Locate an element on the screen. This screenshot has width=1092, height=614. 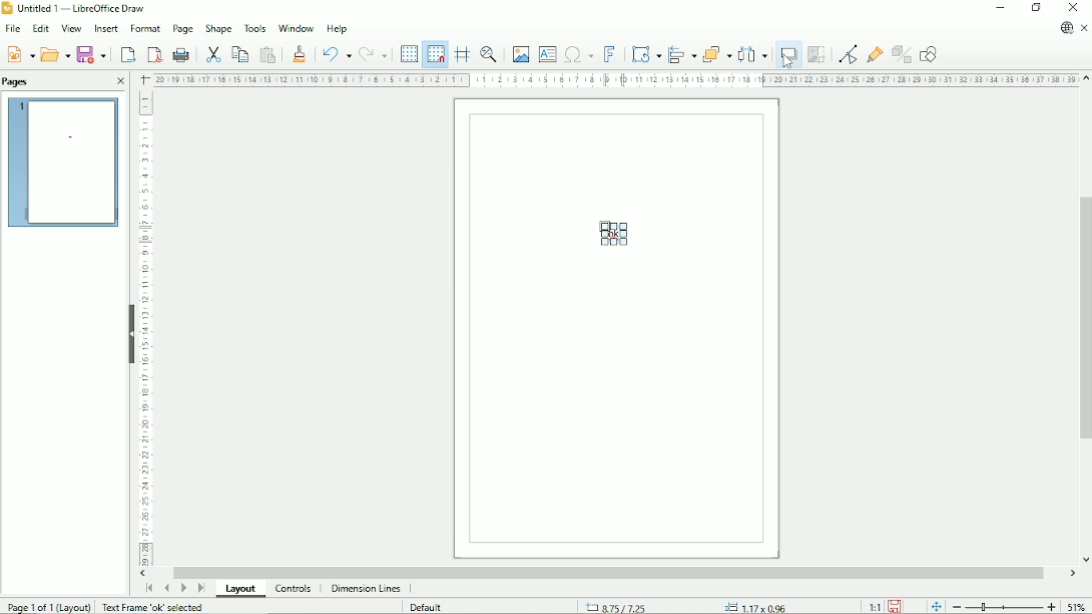
Zoom out/in is located at coordinates (1004, 606).